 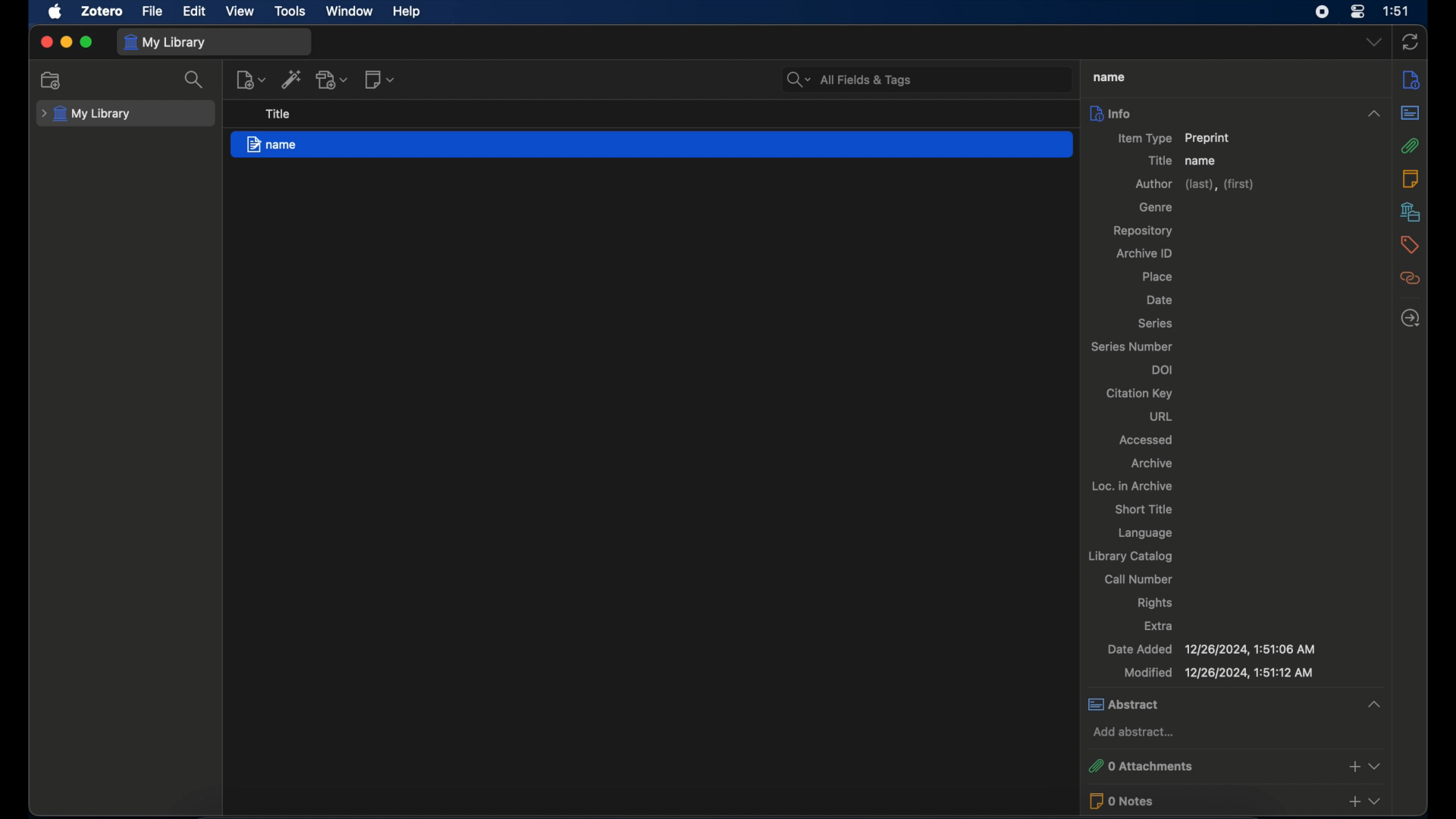 I want to click on attachments, so click(x=1411, y=146).